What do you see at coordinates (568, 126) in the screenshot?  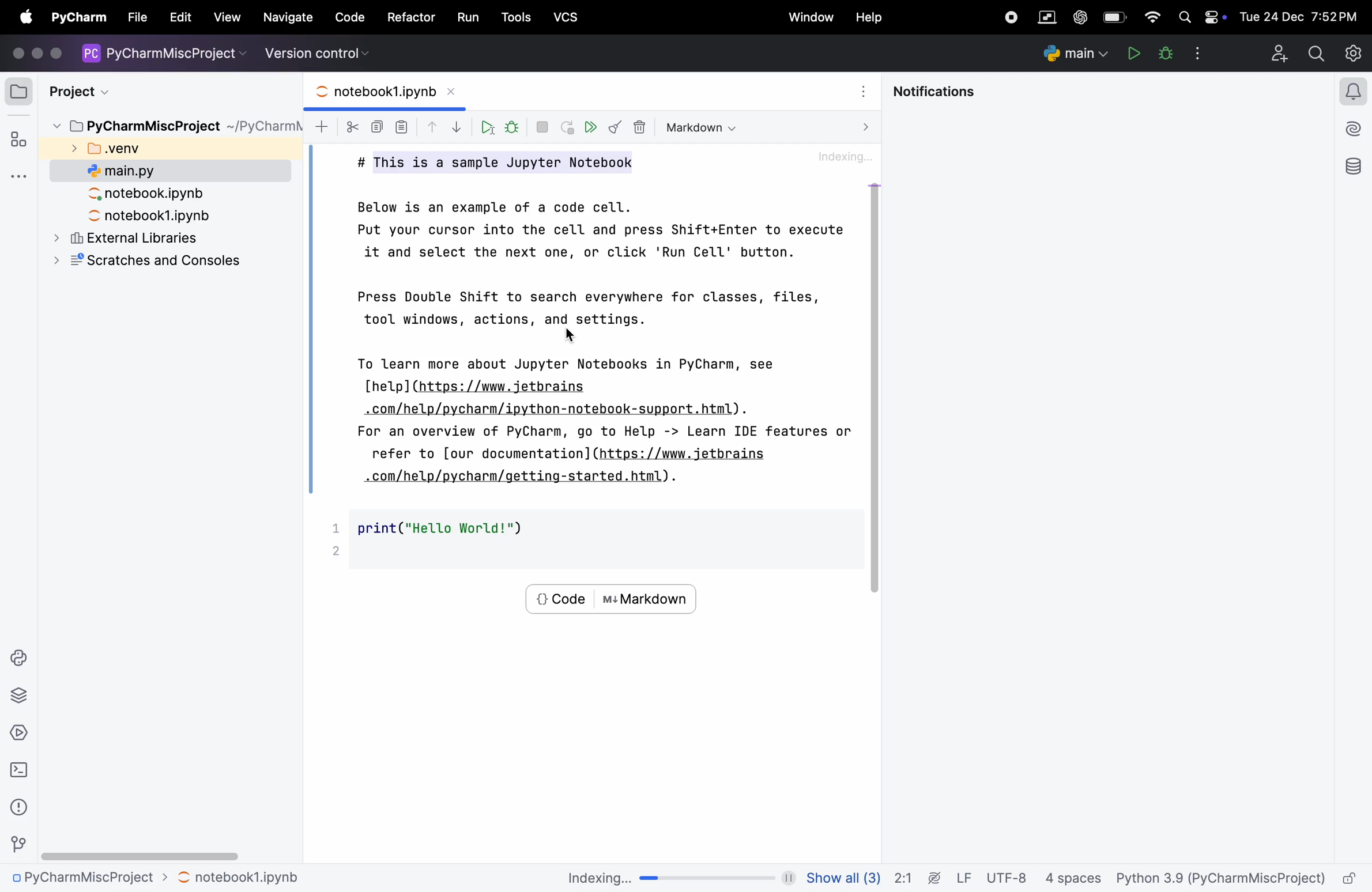 I see `restart kernel` at bounding box center [568, 126].